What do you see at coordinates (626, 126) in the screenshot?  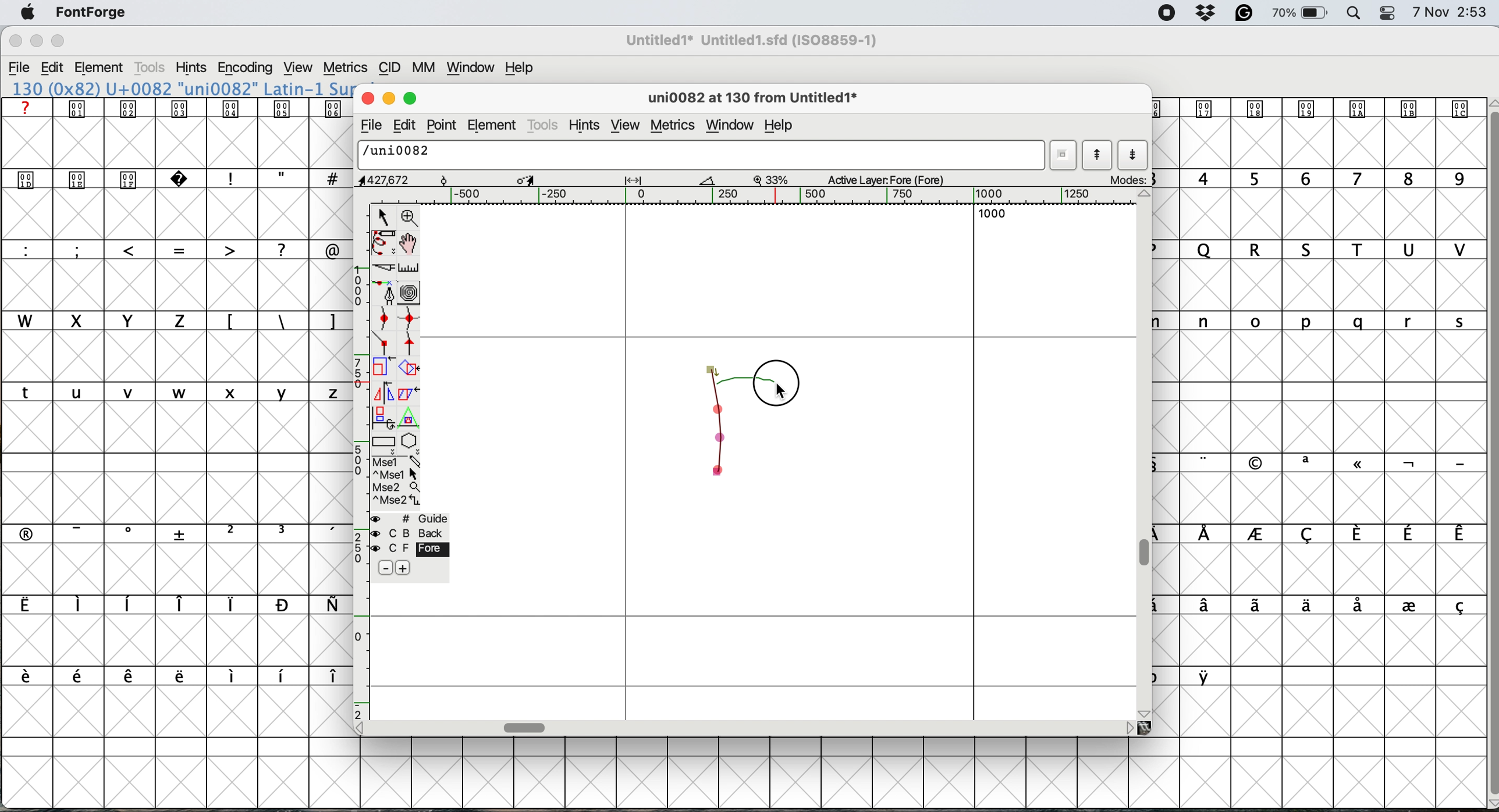 I see `view` at bounding box center [626, 126].